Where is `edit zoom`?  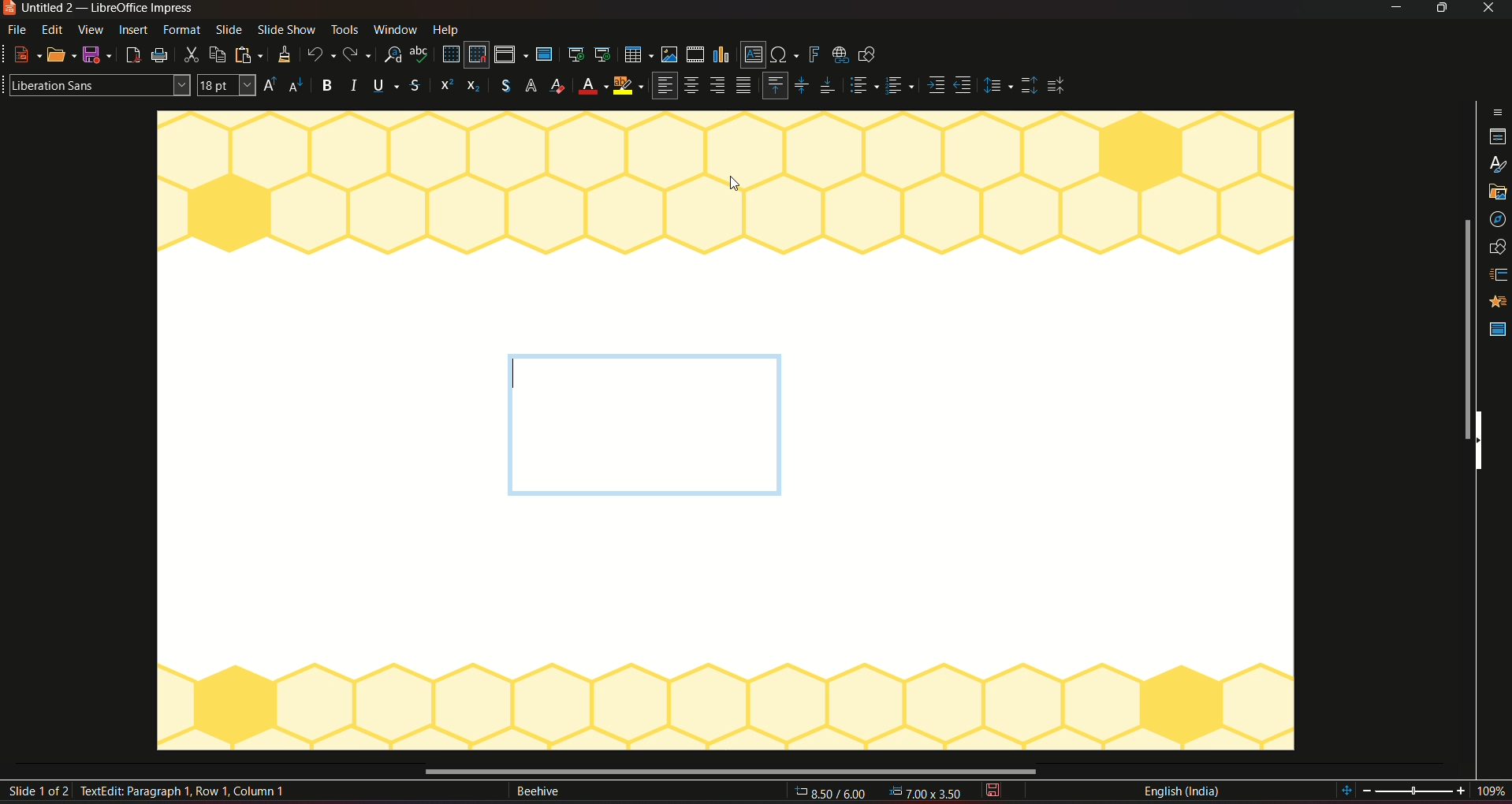 edit zoom is located at coordinates (1416, 791).